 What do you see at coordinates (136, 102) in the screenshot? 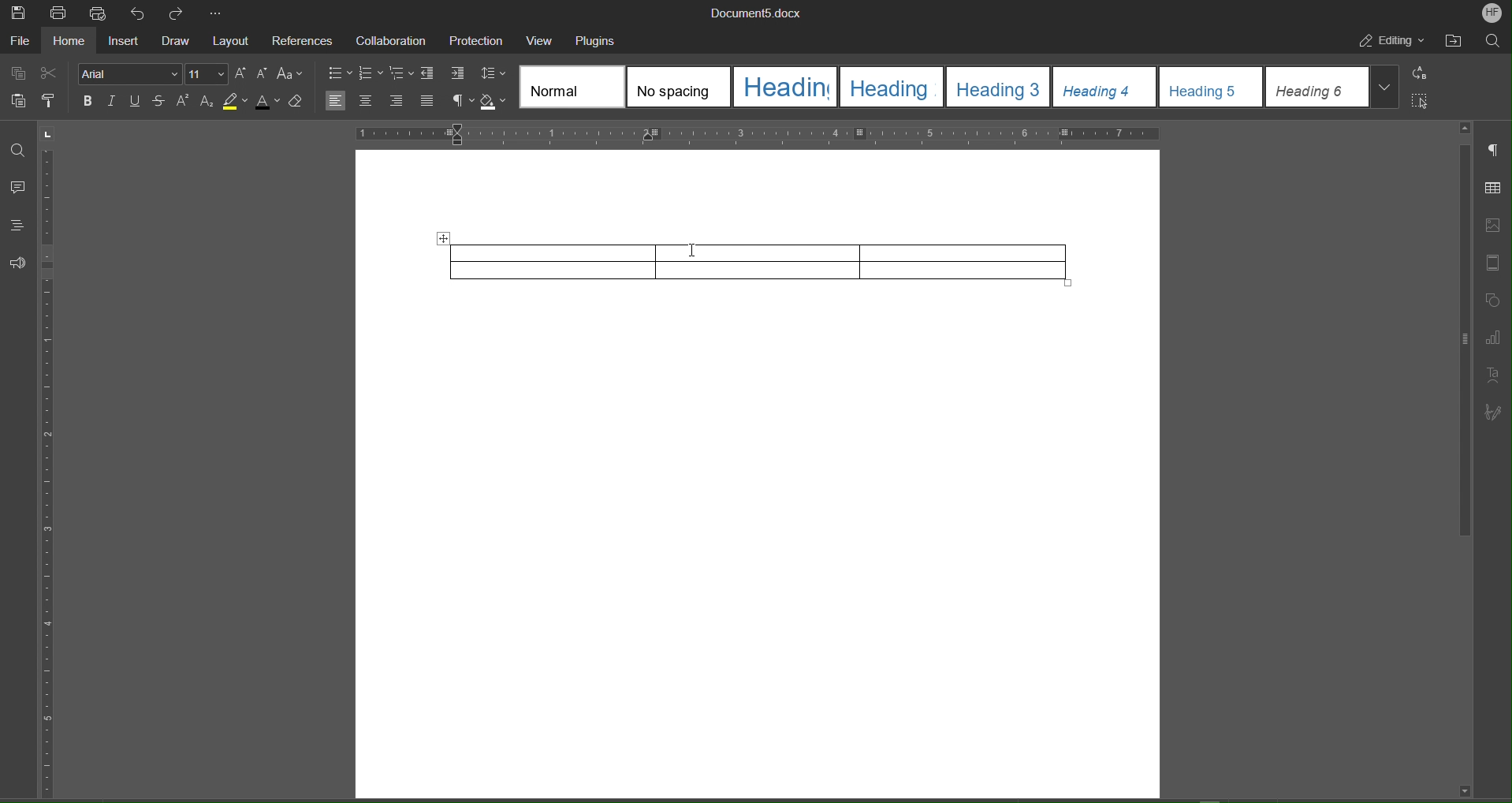
I see `Underline` at bounding box center [136, 102].